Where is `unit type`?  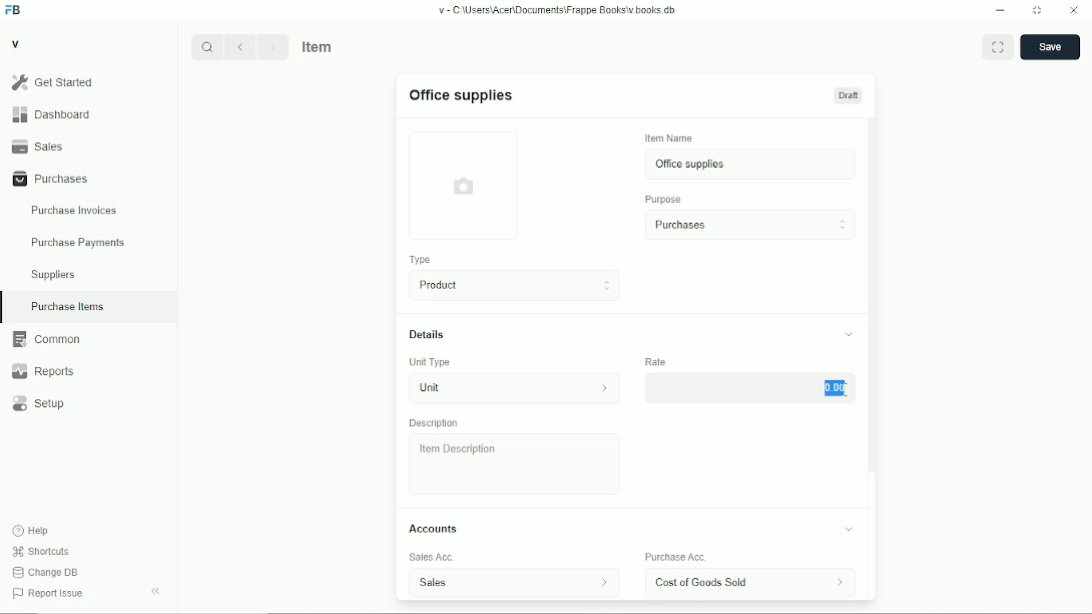 unit type is located at coordinates (430, 362).